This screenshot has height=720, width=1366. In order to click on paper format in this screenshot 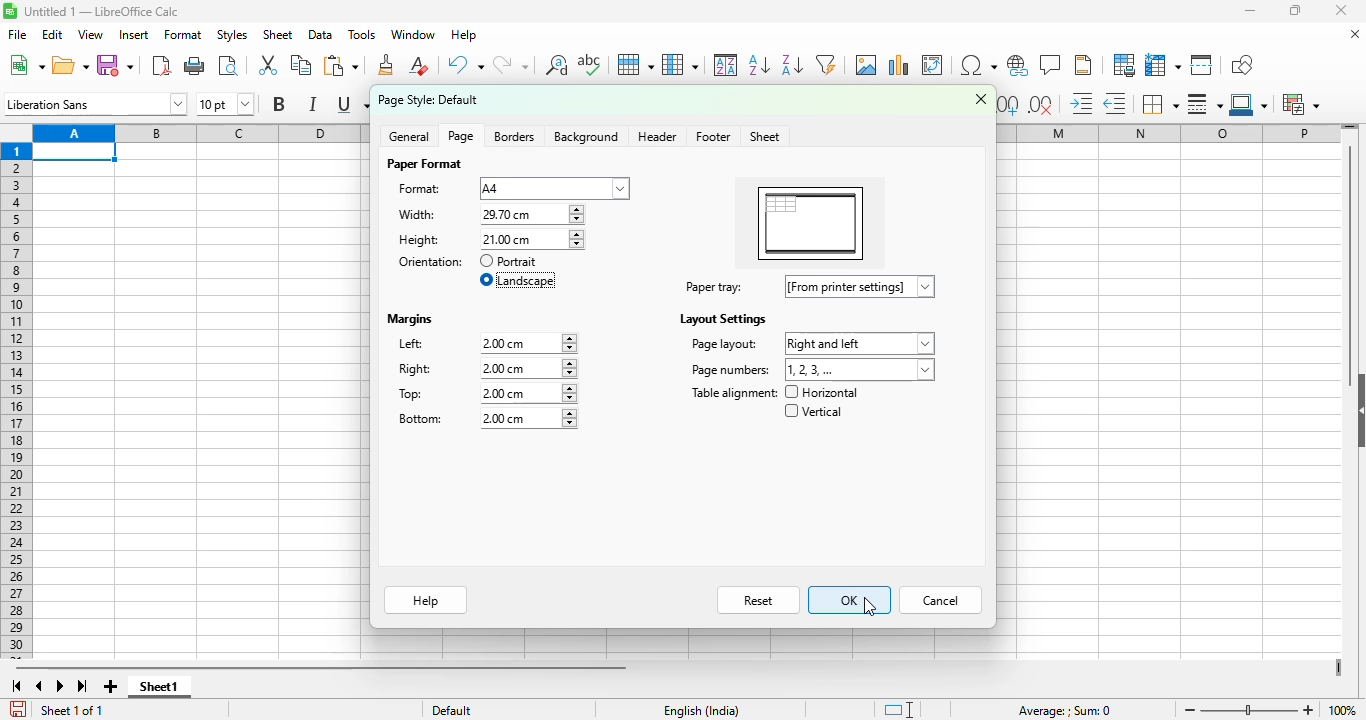, I will do `click(423, 164)`.